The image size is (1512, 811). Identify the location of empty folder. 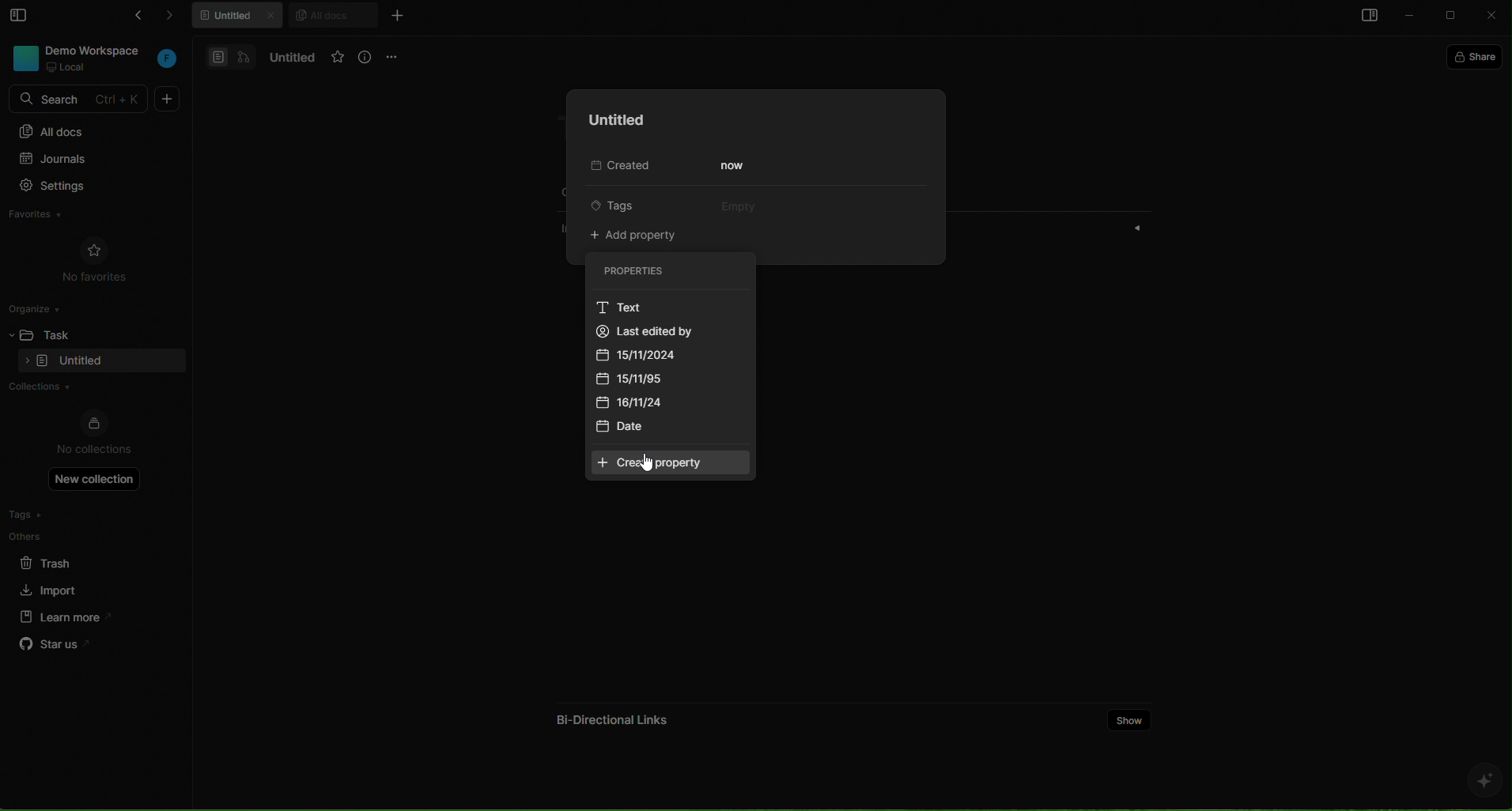
(81, 362).